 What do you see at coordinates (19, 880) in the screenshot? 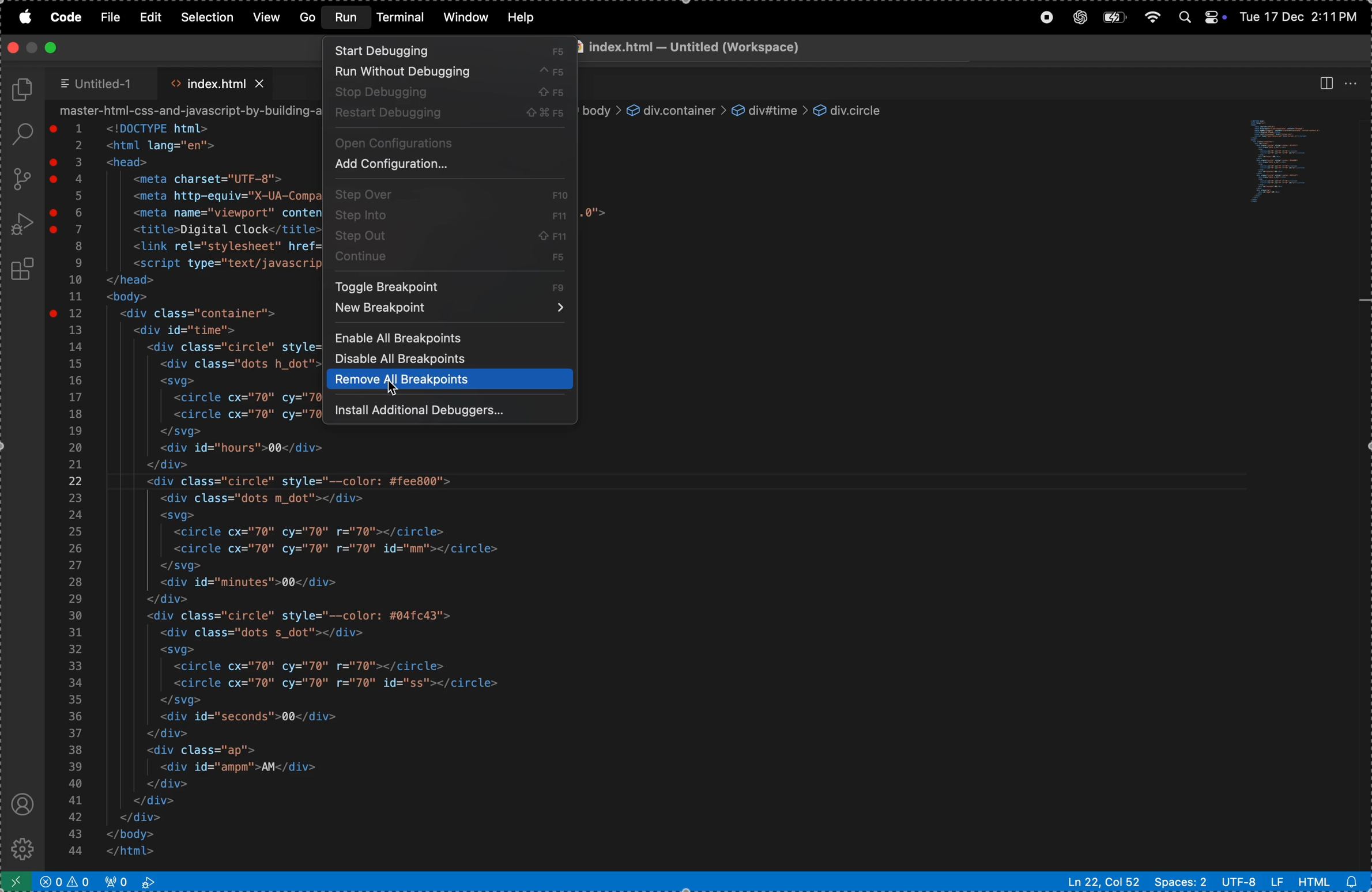
I see `open remote window` at bounding box center [19, 880].